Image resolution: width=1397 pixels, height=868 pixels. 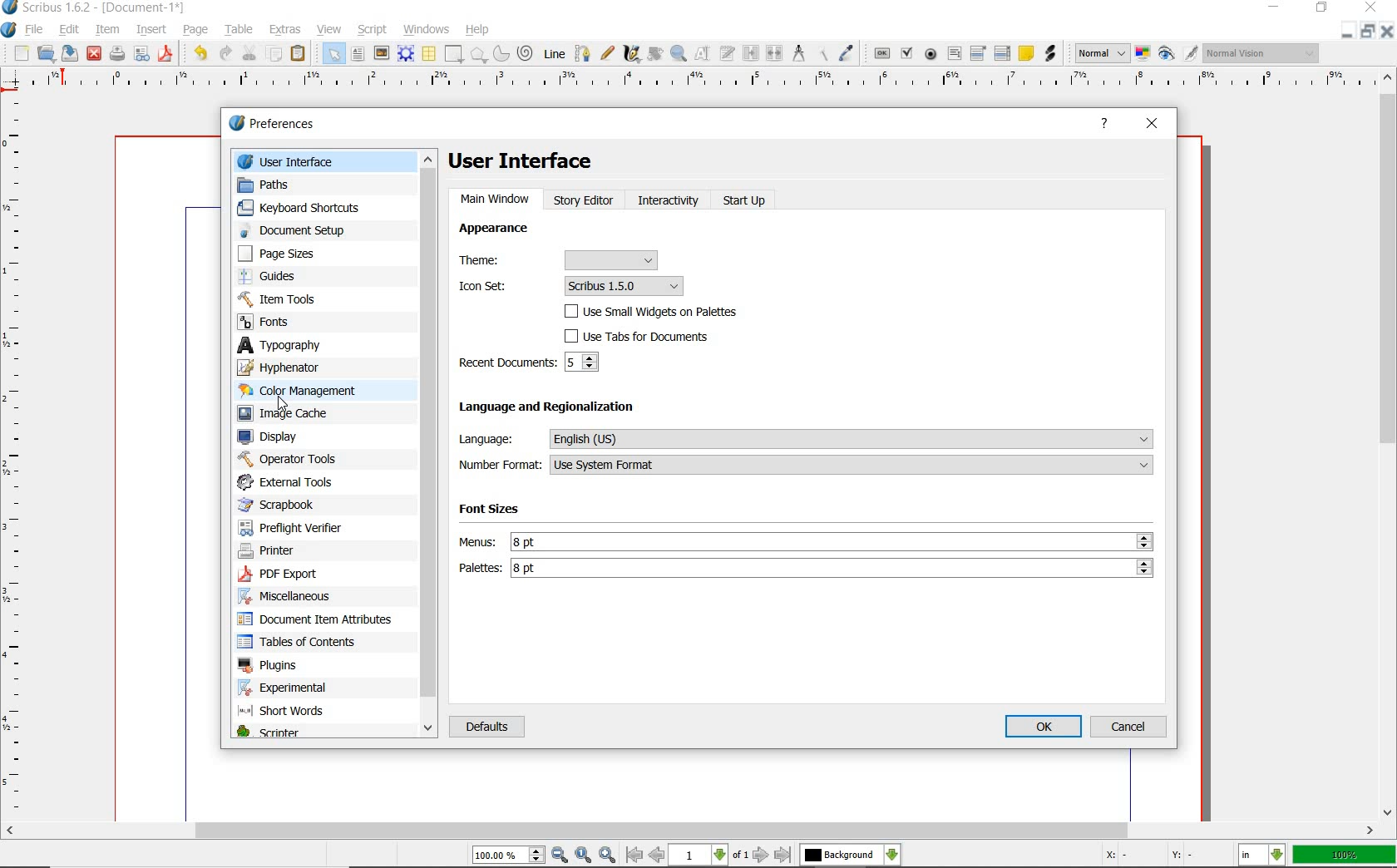 I want to click on cut, so click(x=249, y=52).